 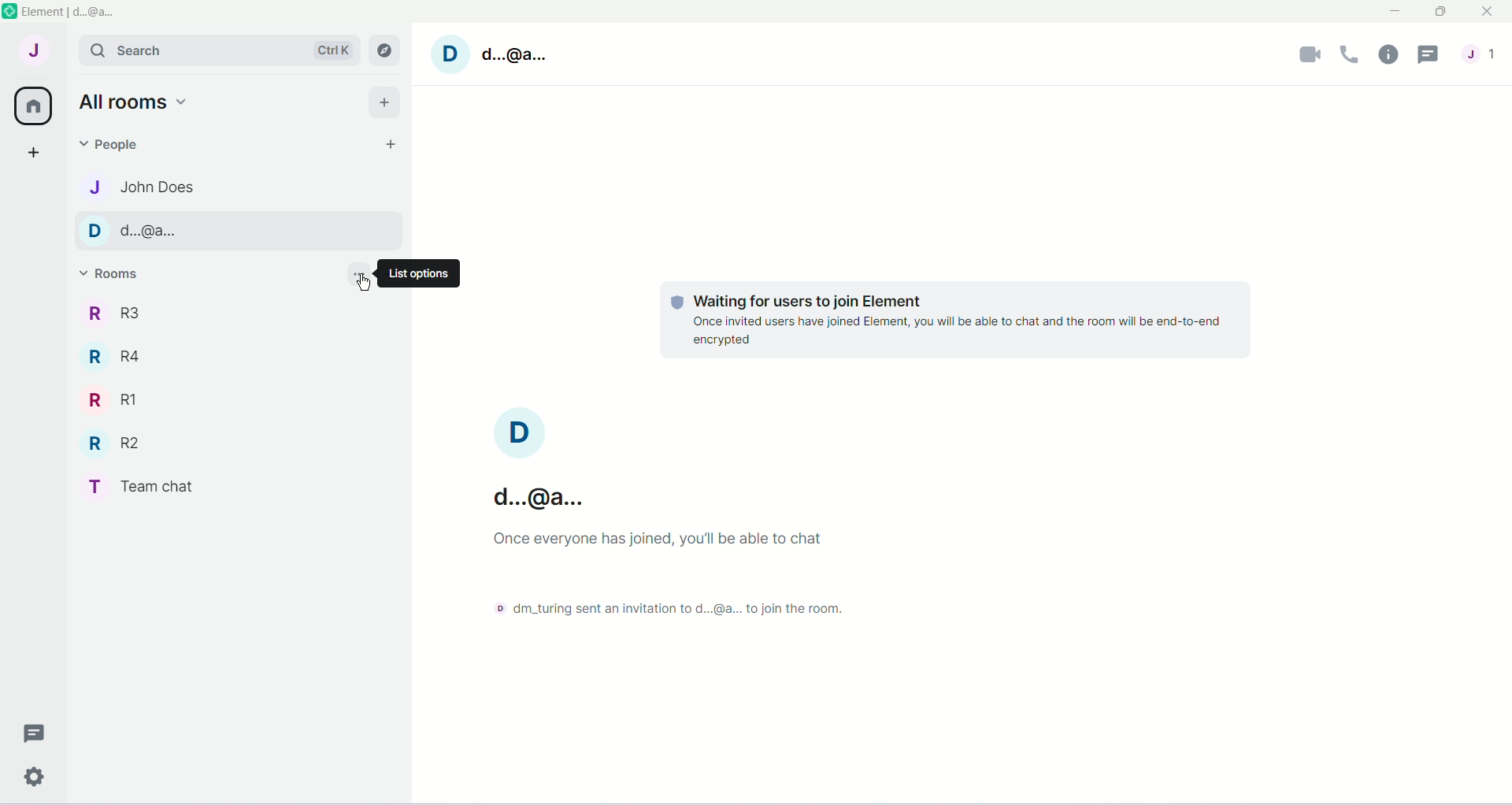 I want to click on Quick Settings, so click(x=36, y=773).